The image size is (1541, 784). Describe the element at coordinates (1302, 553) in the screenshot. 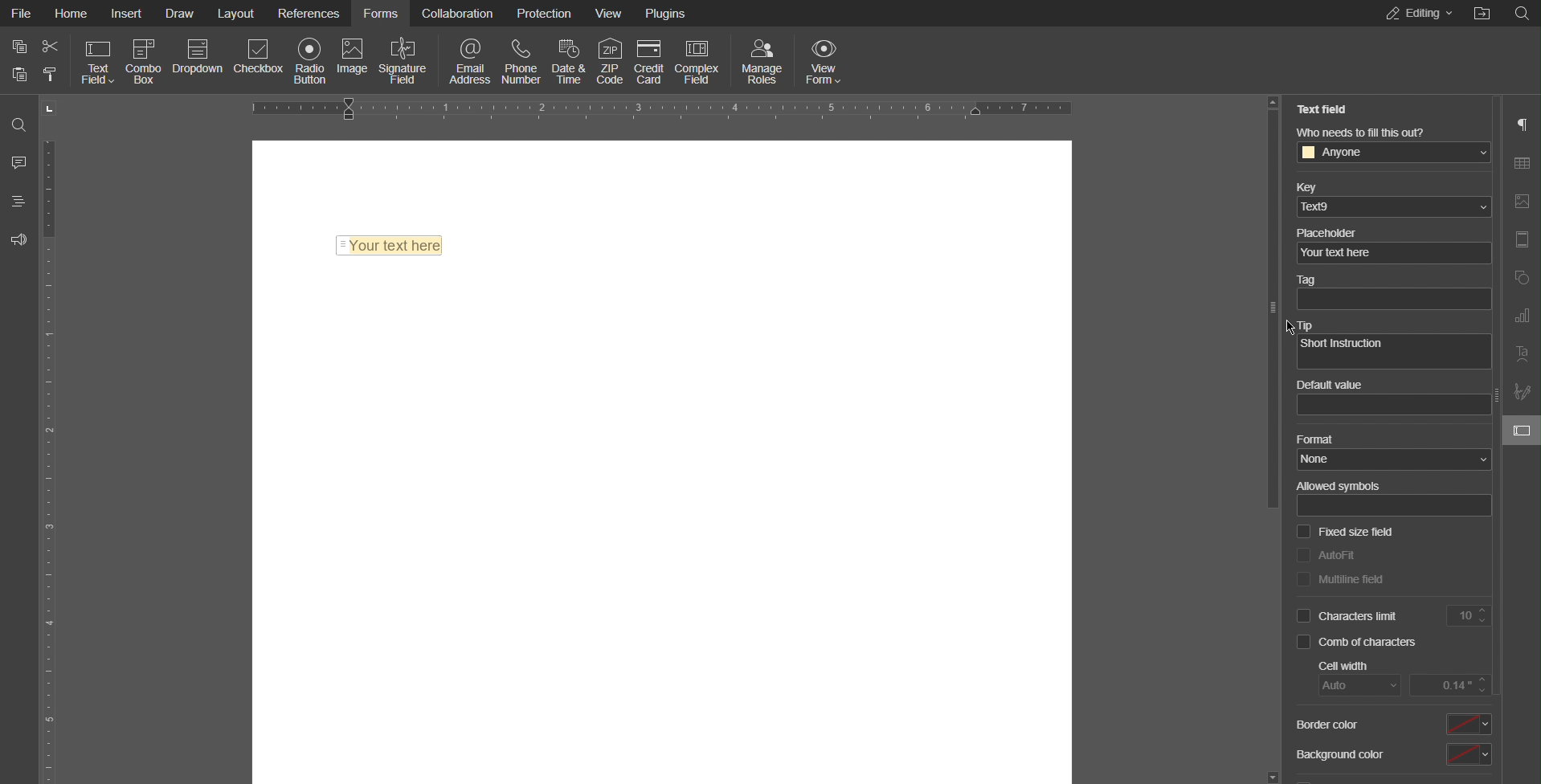

I see `checkbox` at that location.